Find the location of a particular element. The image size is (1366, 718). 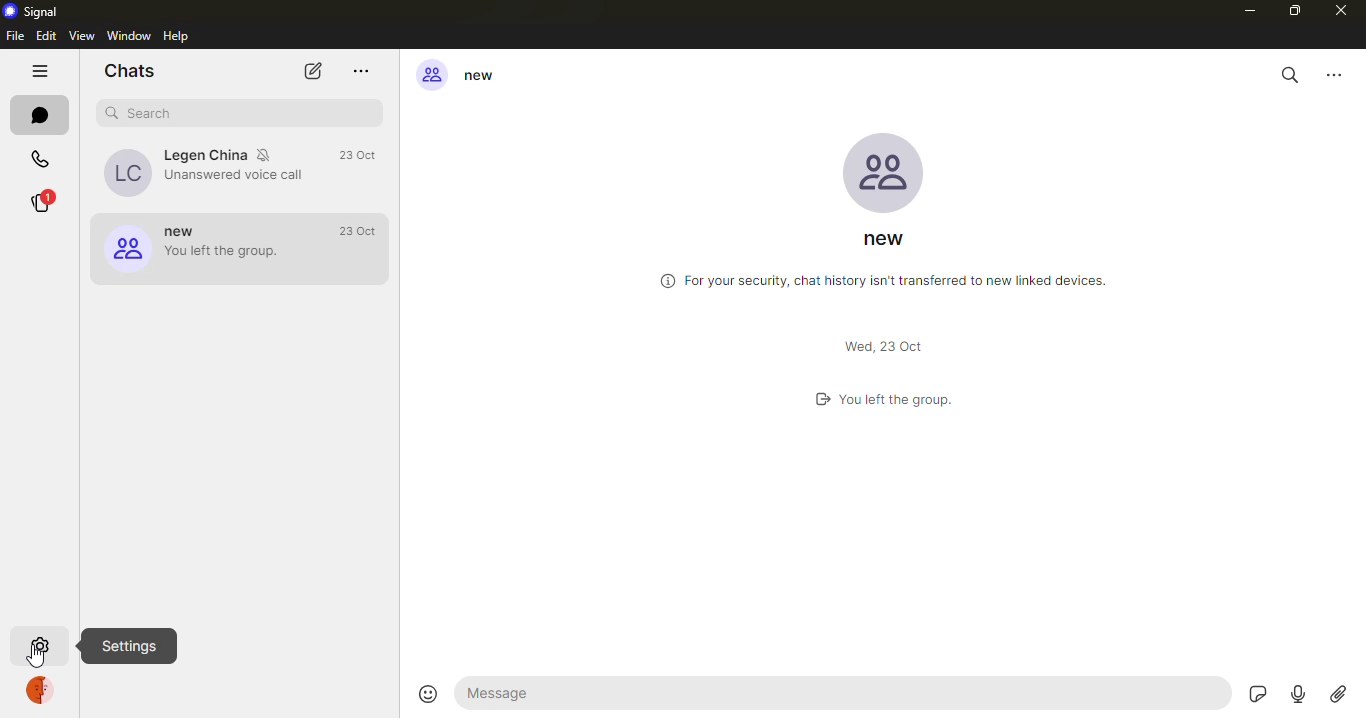

group is located at coordinates (203, 251).